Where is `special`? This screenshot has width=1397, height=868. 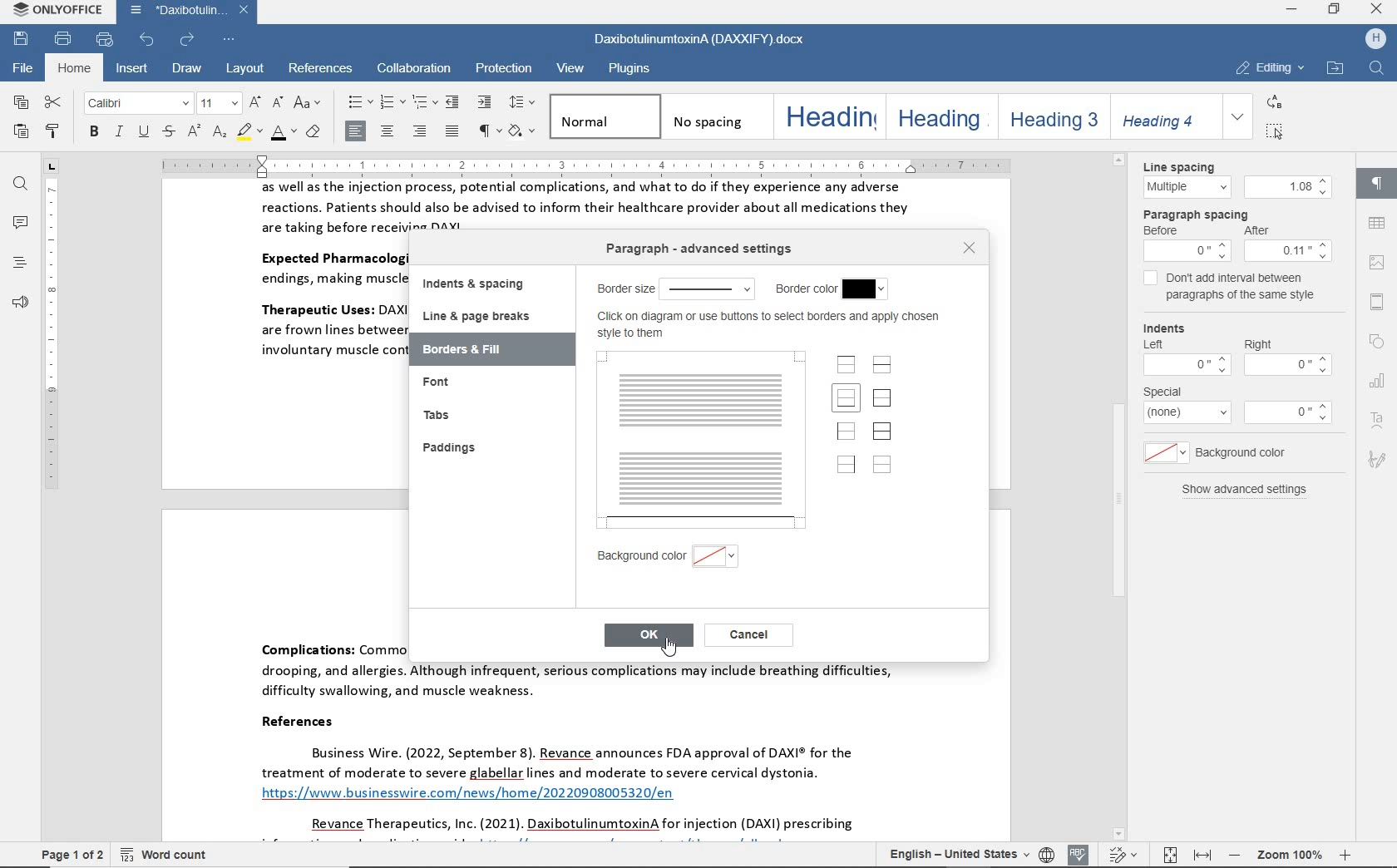
special is located at coordinates (1238, 406).